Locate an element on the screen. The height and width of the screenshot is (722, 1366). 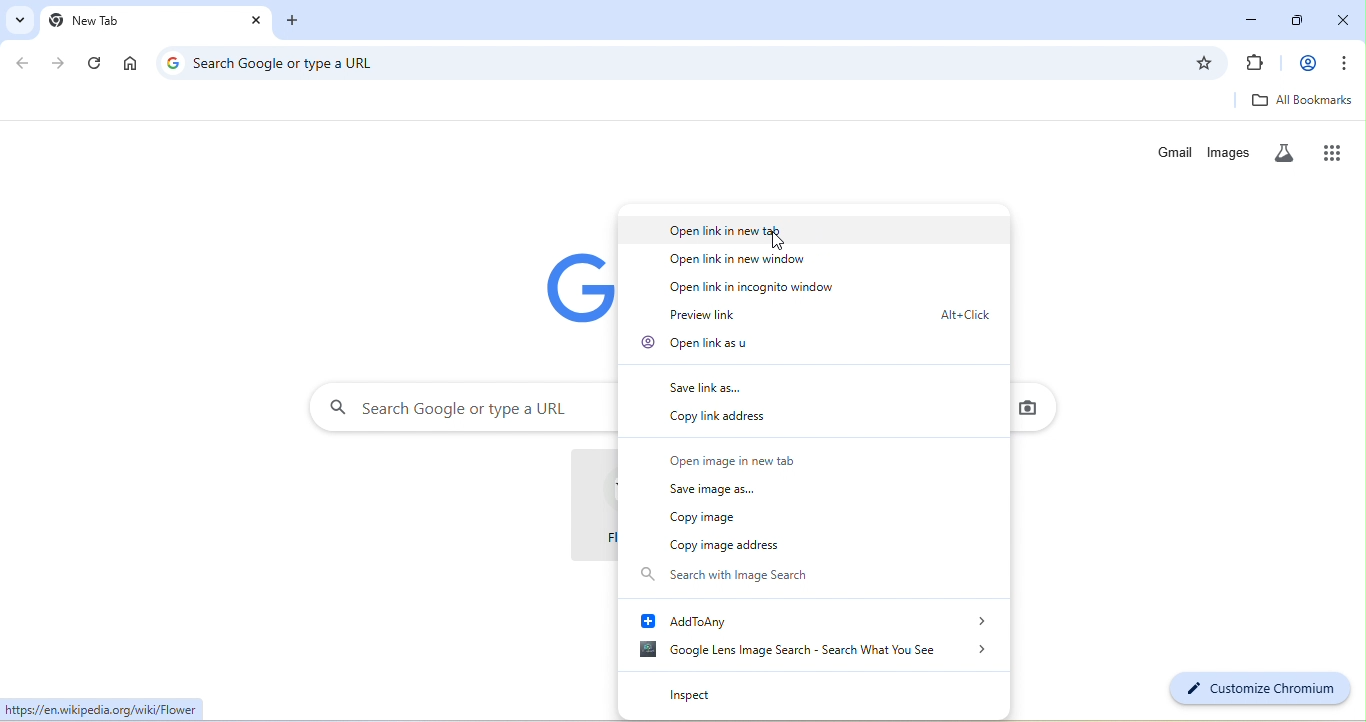
reload the page is located at coordinates (96, 64).